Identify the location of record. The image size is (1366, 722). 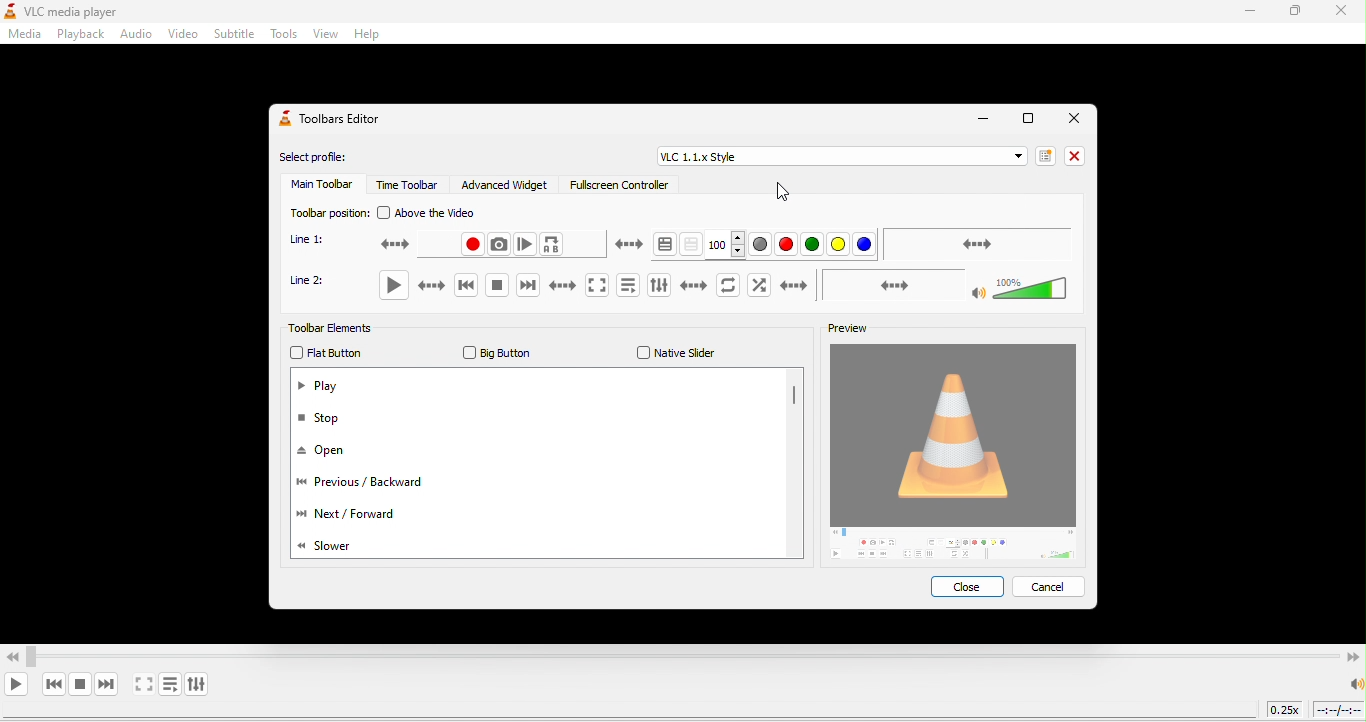
(707, 286).